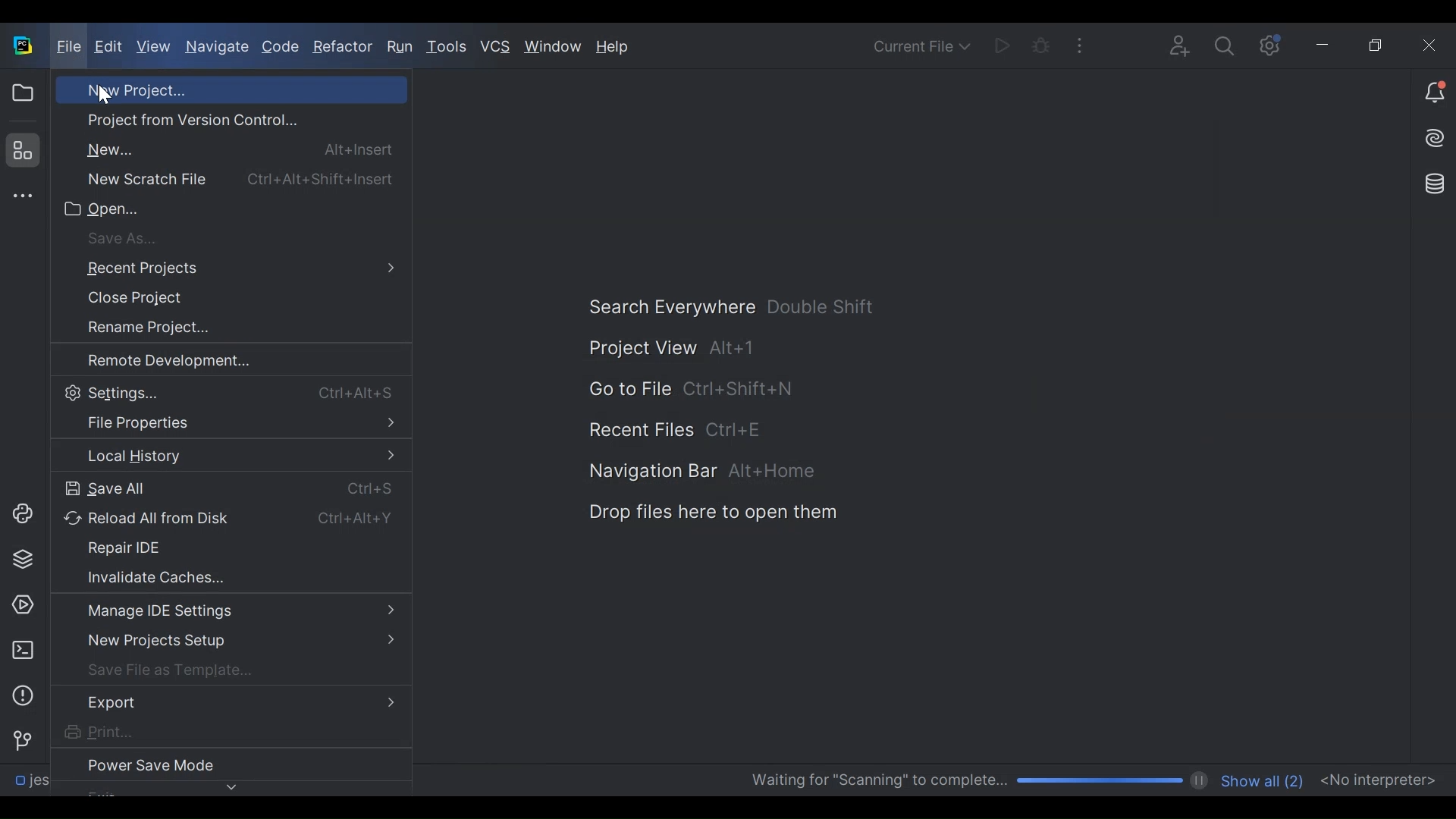  What do you see at coordinates (20, 196) in the screenshot?
I see `More tool window` at bounding box center [20, 196].